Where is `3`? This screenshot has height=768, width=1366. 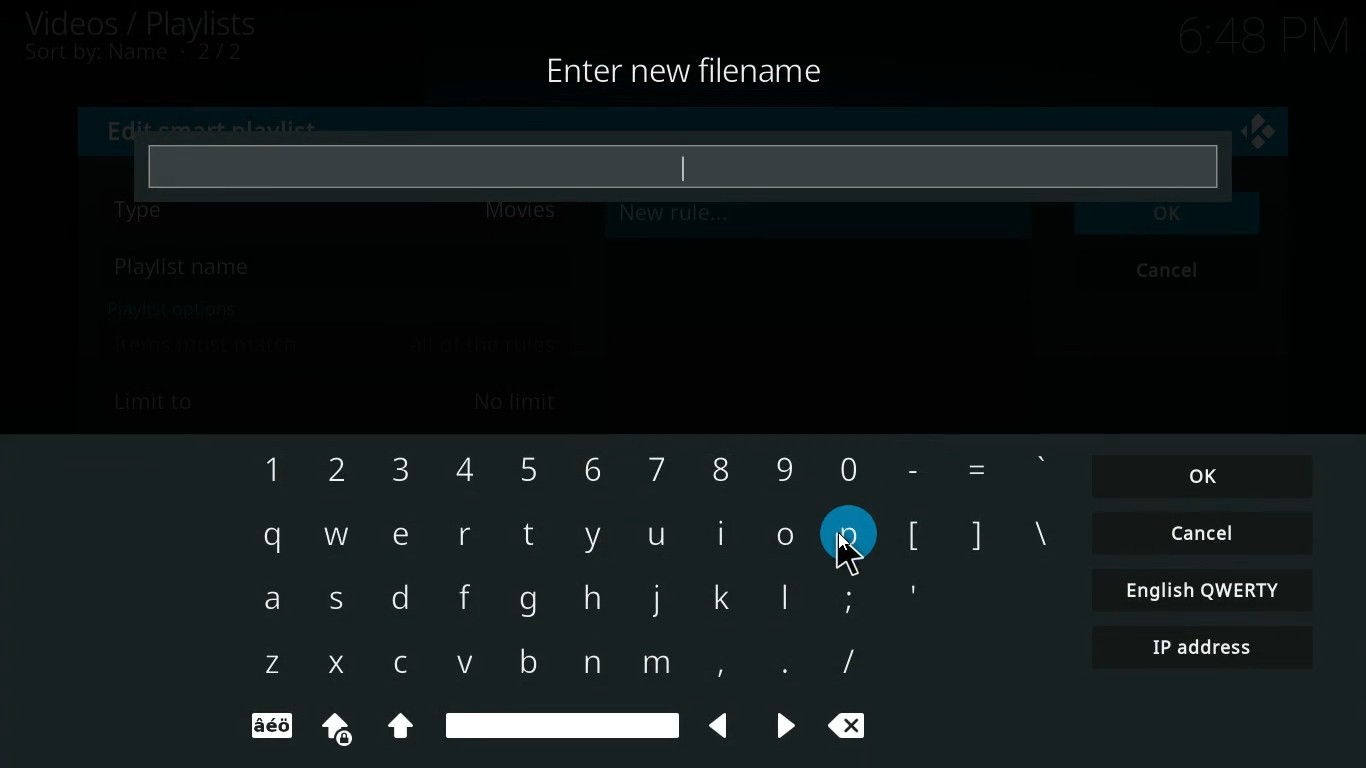
3 is located at coordinates (397, 472).